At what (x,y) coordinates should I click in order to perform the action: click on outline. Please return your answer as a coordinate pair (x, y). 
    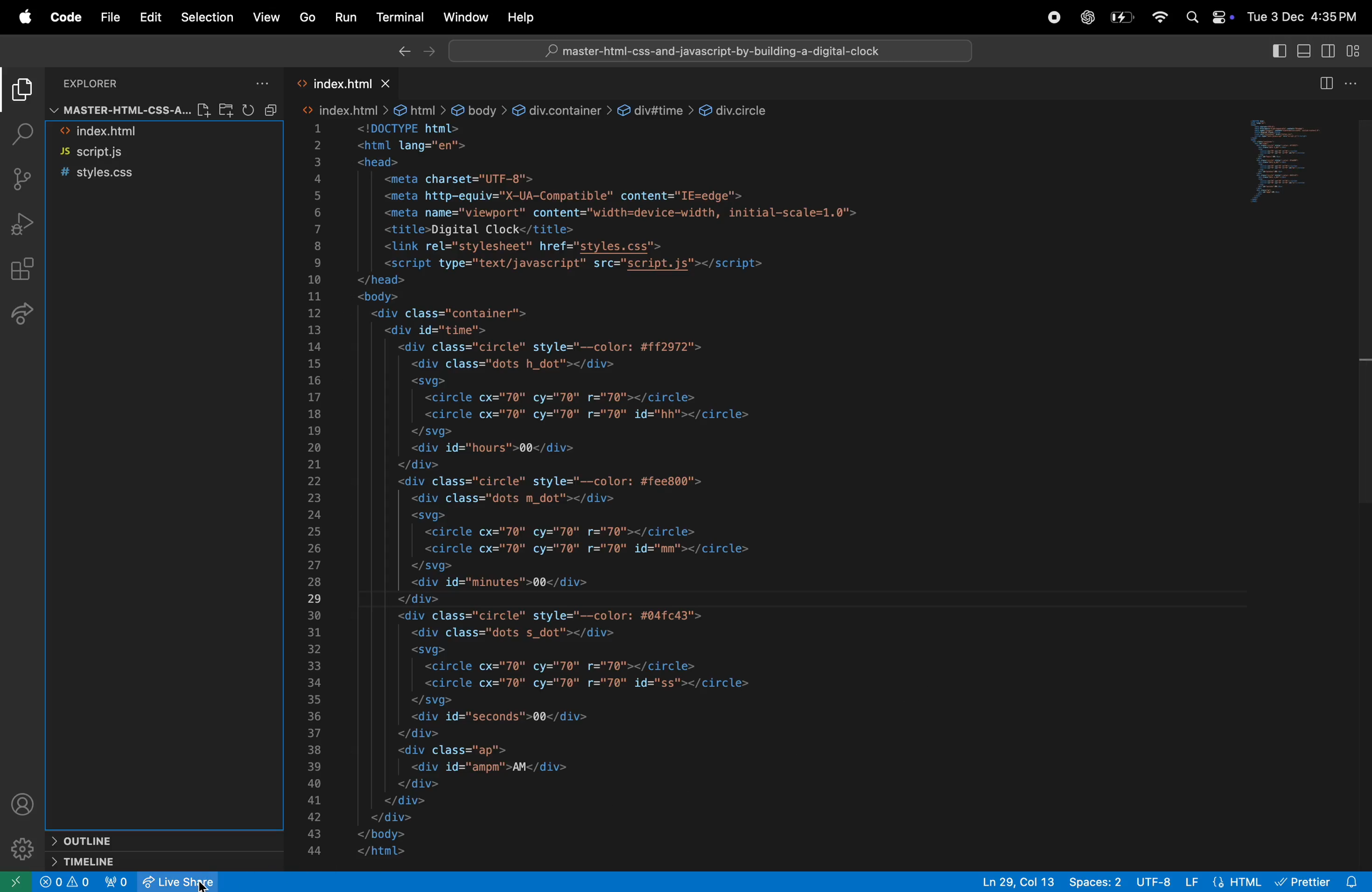
    Looking at the image, I should click on (156, 840).